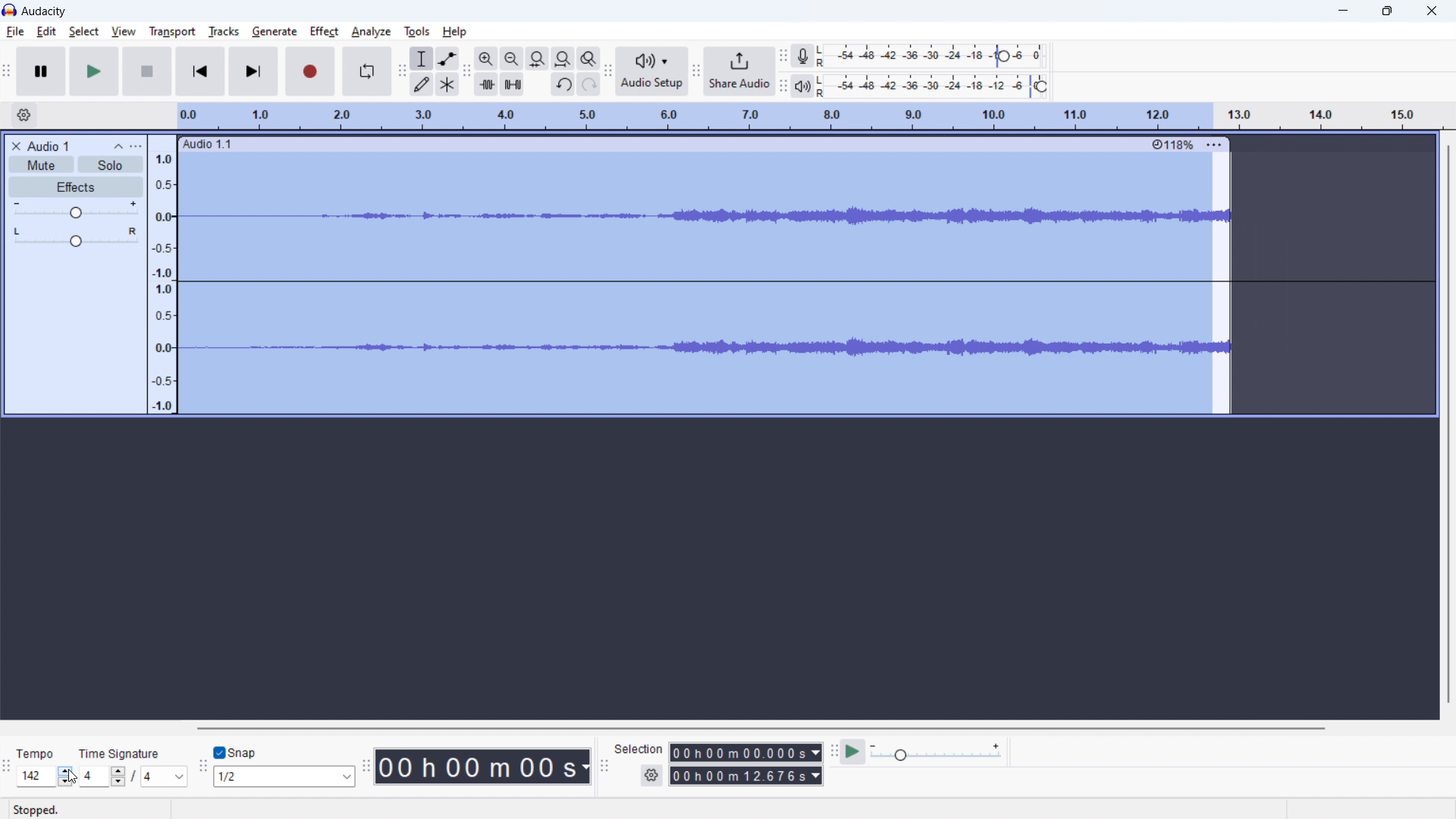 The width and height of the screenshot is (1456, 819). What do you see at coordinates (852, 752) in the screenshot?
I see `play at speed` at bounding box center [852, 752].